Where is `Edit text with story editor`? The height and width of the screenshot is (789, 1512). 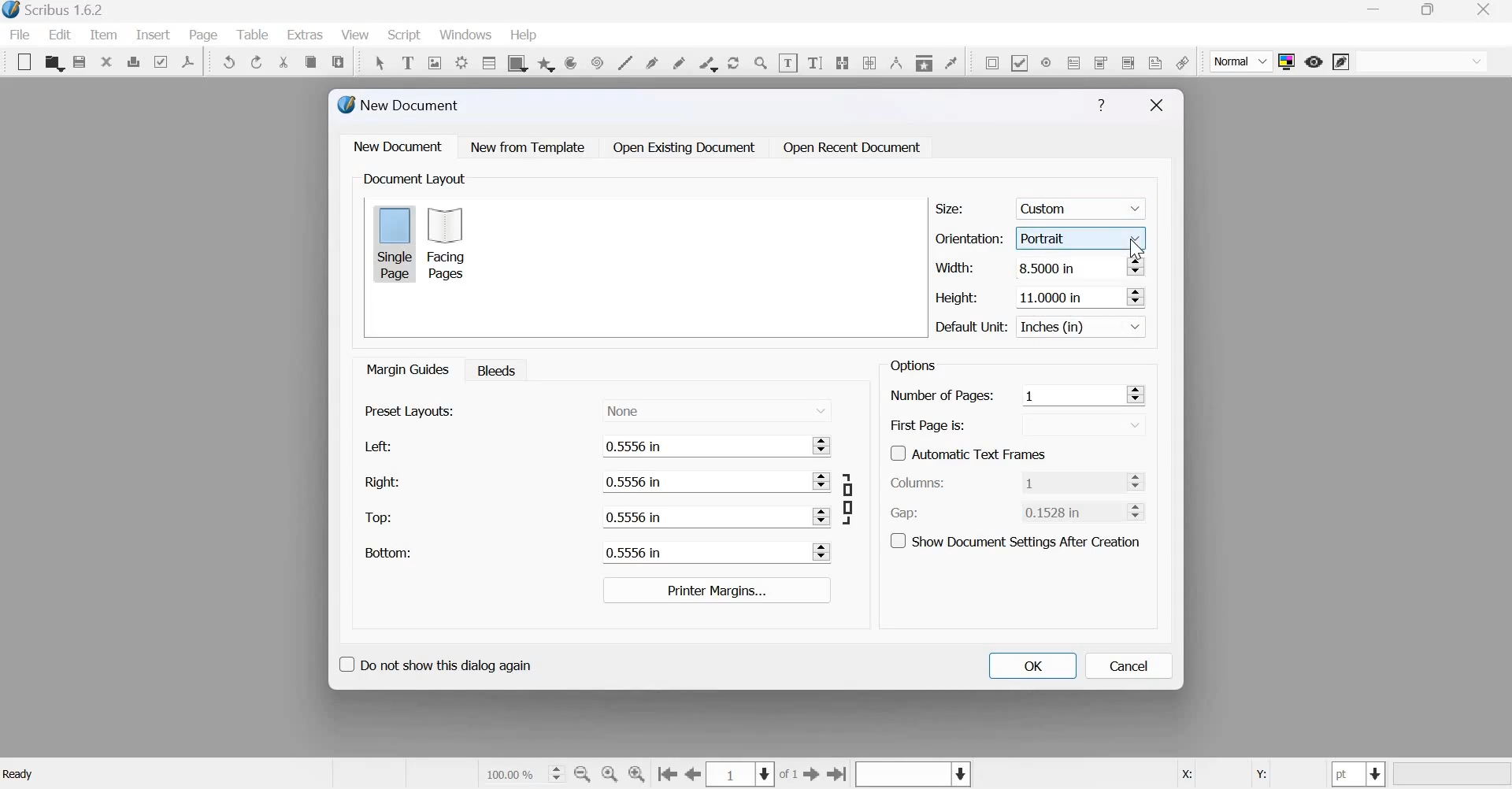 Edit text with story editor is located at coordinates (815, 61).